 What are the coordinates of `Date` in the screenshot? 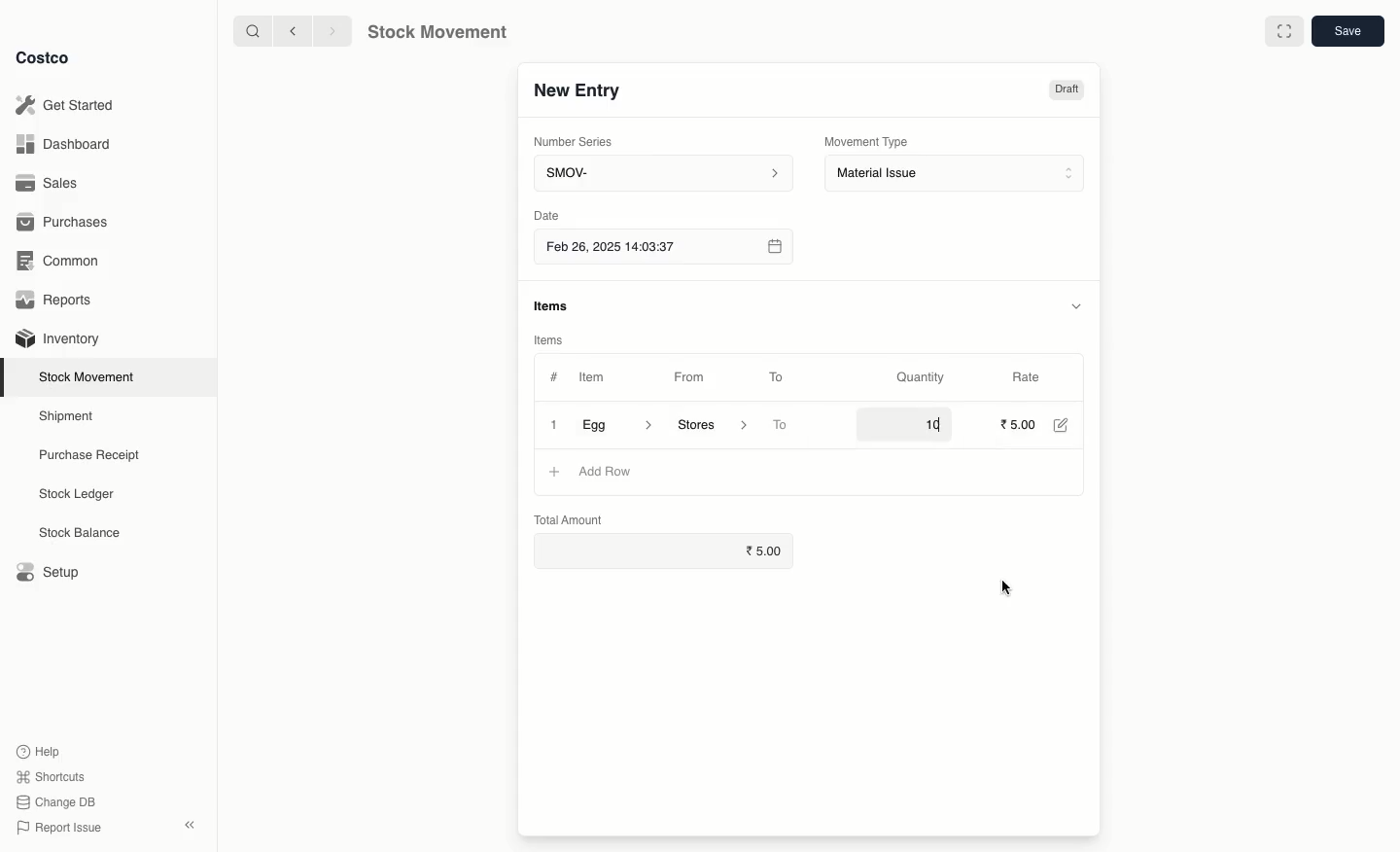 It's located at (545, 215).